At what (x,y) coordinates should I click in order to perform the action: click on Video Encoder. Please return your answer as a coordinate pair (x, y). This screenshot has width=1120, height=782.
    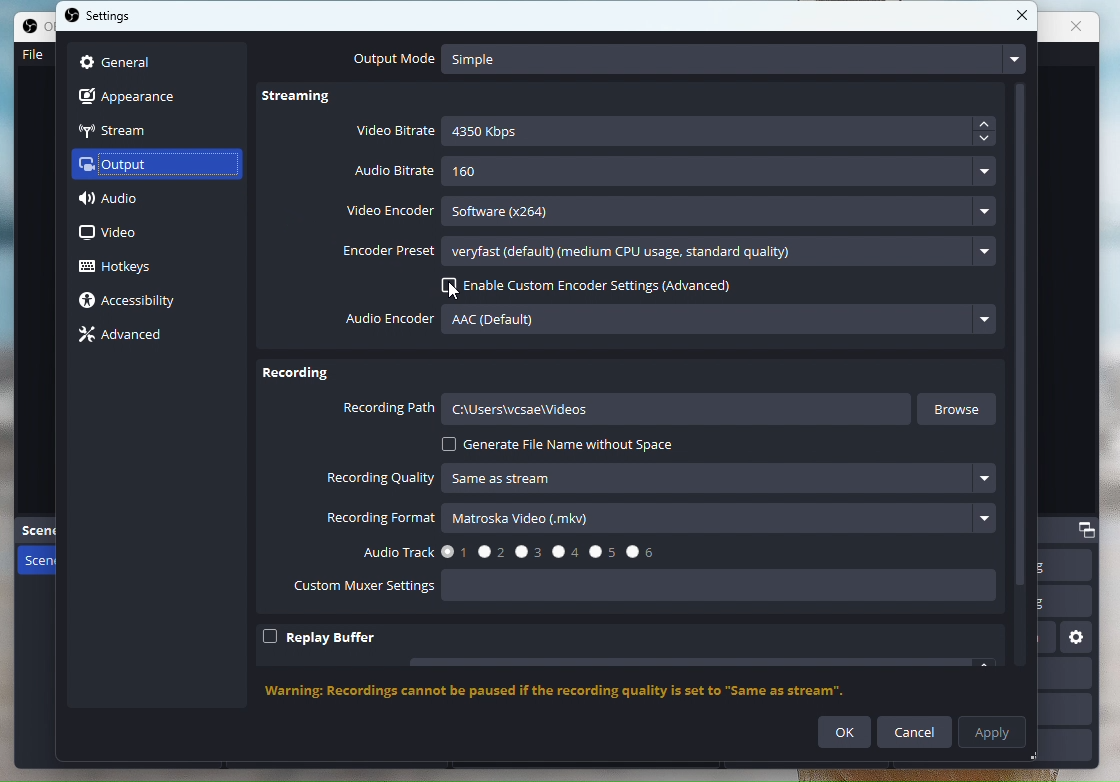
    Looking at the image, I should click on (651, 211).